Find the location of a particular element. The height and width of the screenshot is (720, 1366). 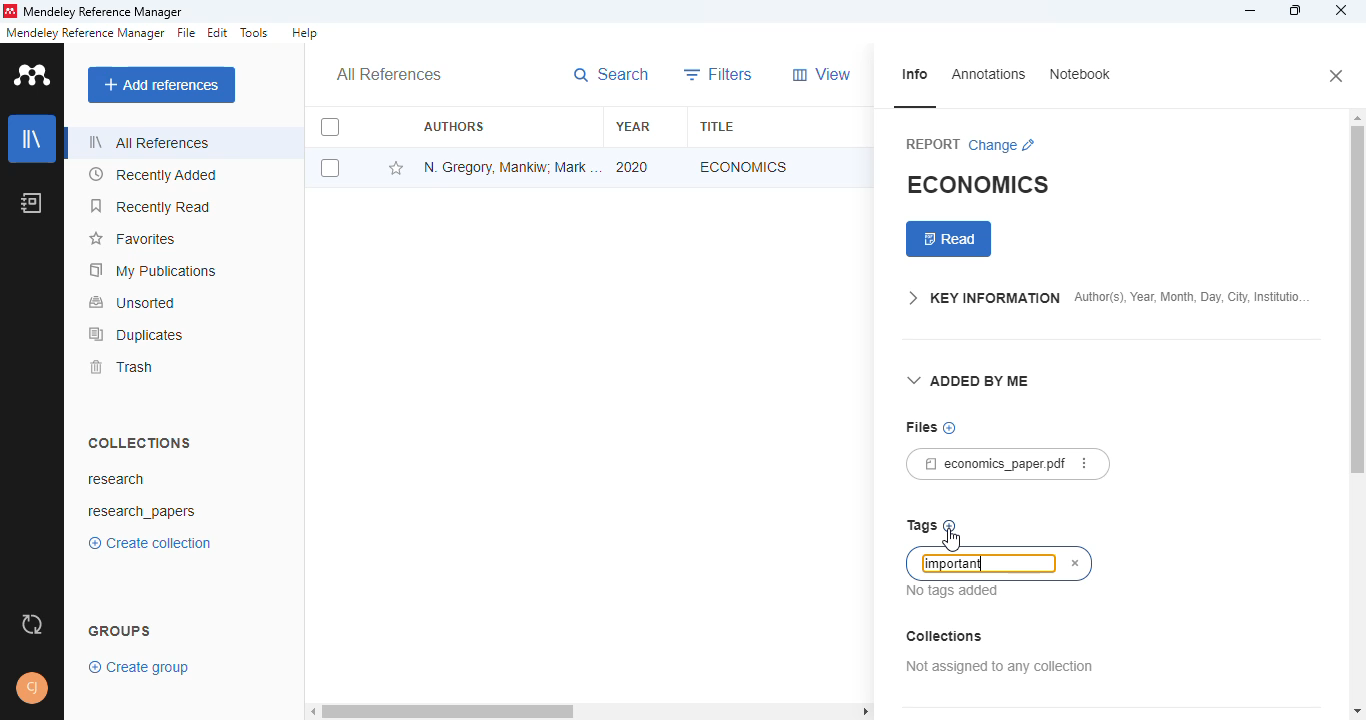

mendeley reference manager is located at coordinates (103, 11).